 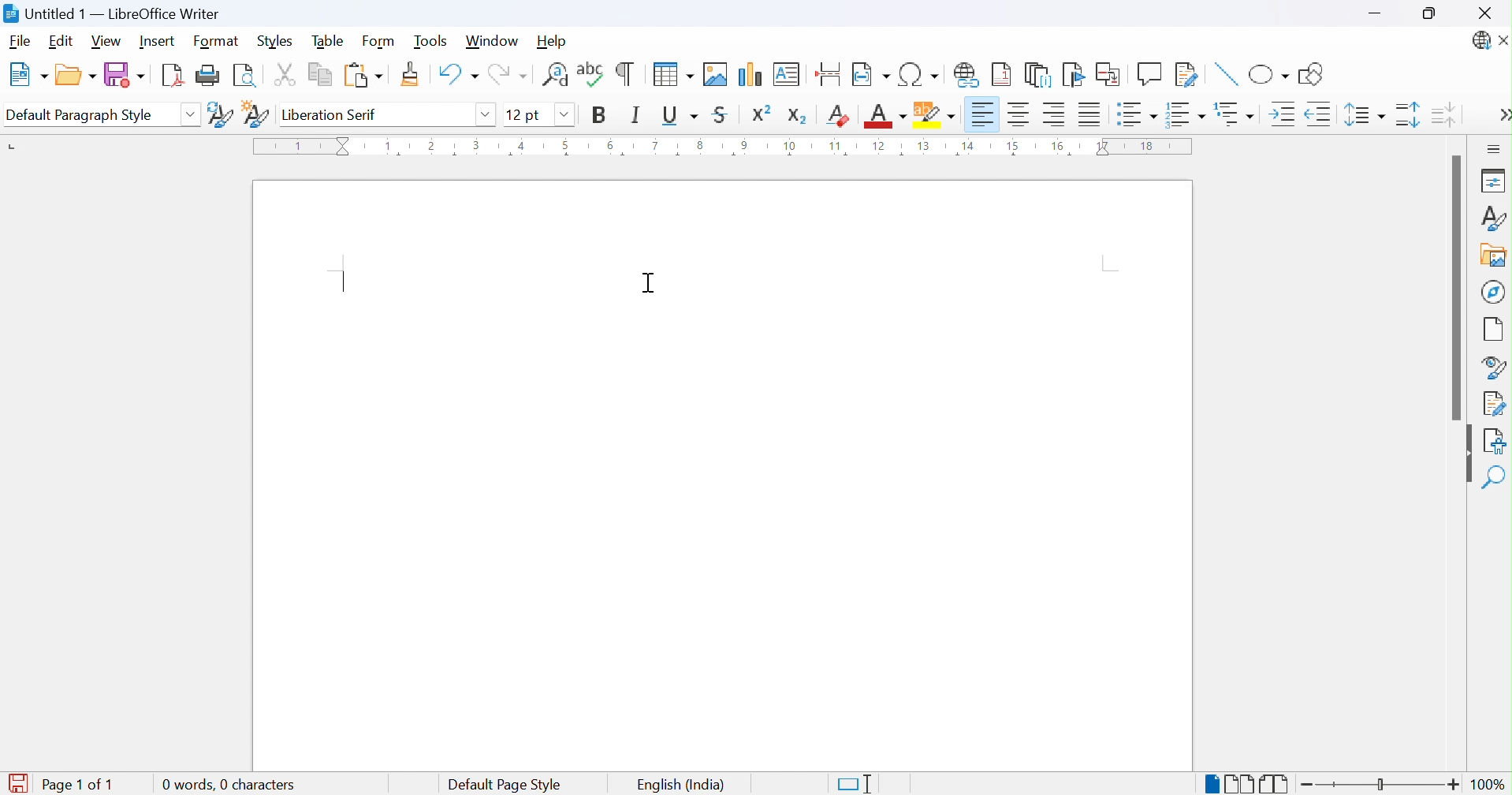 What do you see at coordinates (1495, 151) in the screenshot?
I see `Sidebar settings` at bounding box center [1495, 151].